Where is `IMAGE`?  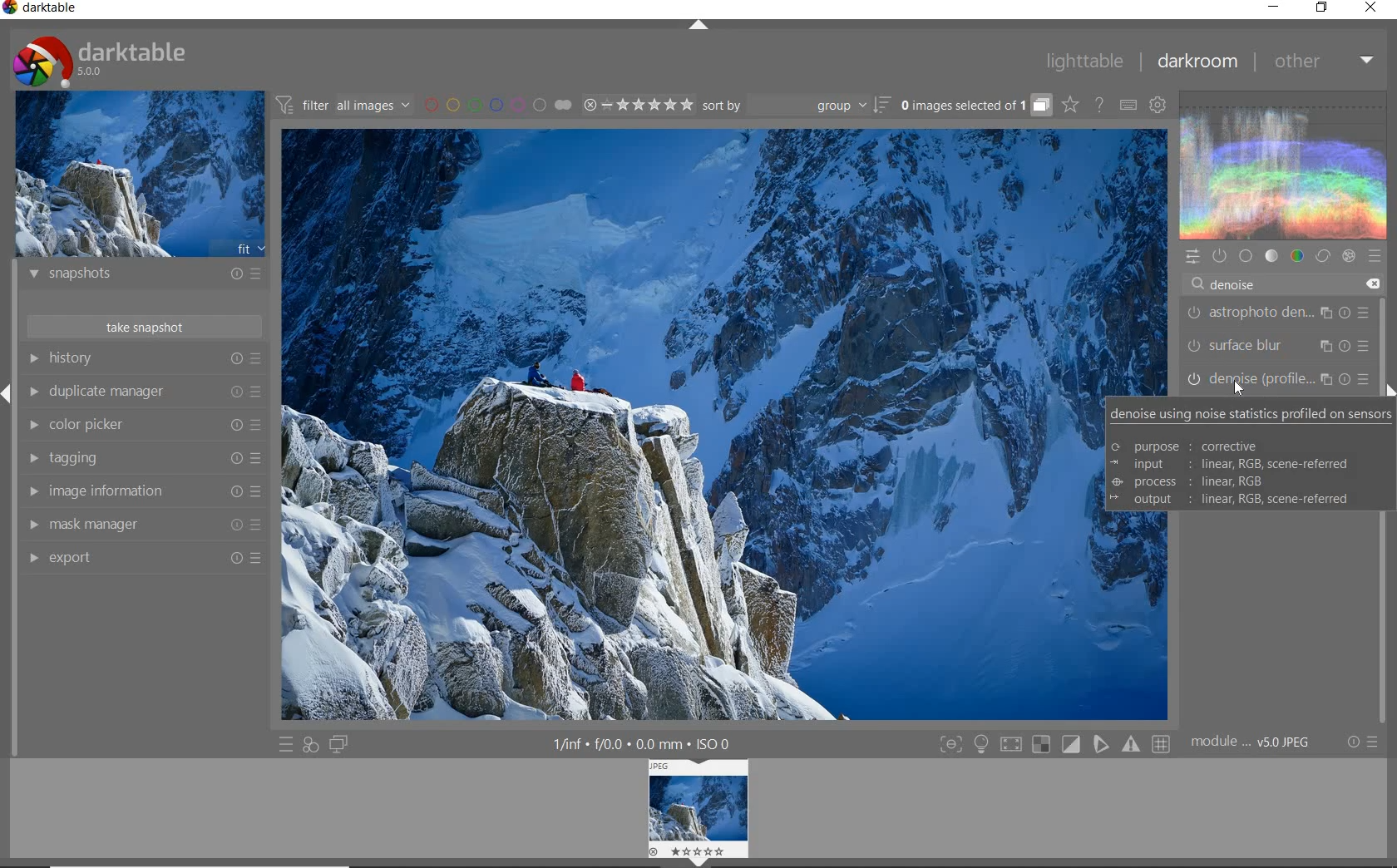
IMAGE is located at coordinates (699, 811).